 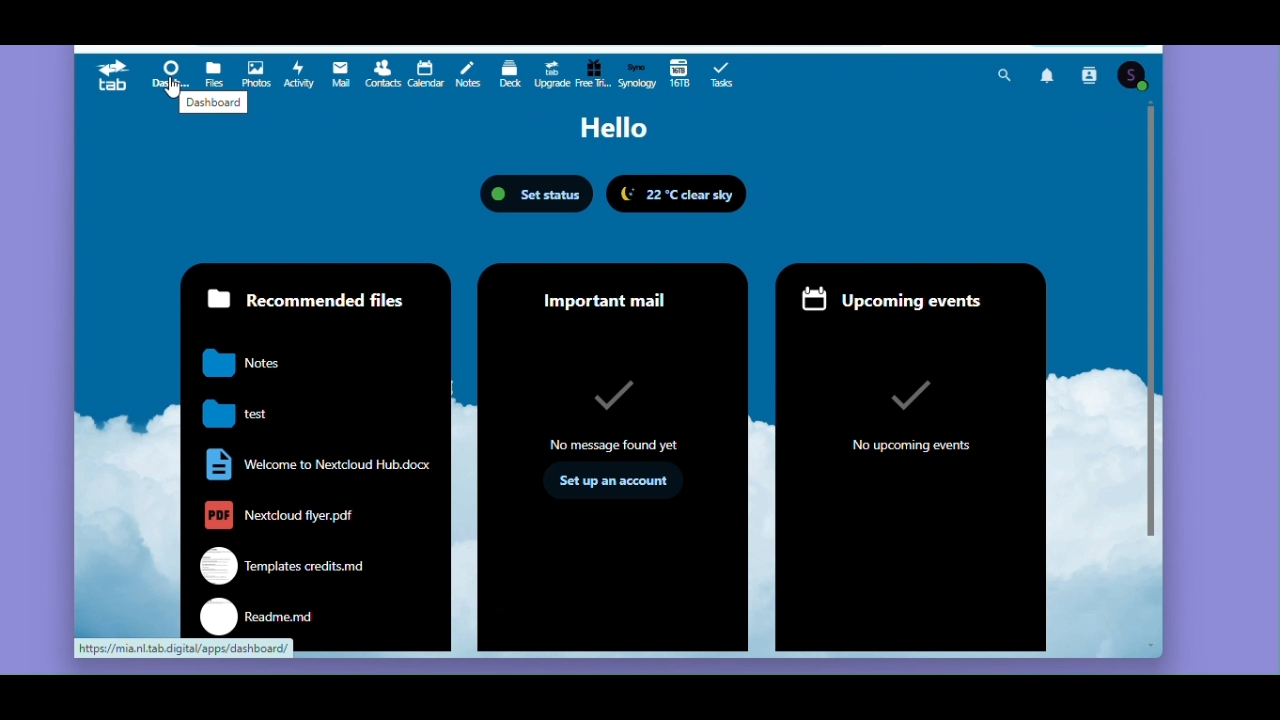 What do you see at coordinates (466, 75) in the screenshot?
I see `Notes` at bounding box center [466, 75].